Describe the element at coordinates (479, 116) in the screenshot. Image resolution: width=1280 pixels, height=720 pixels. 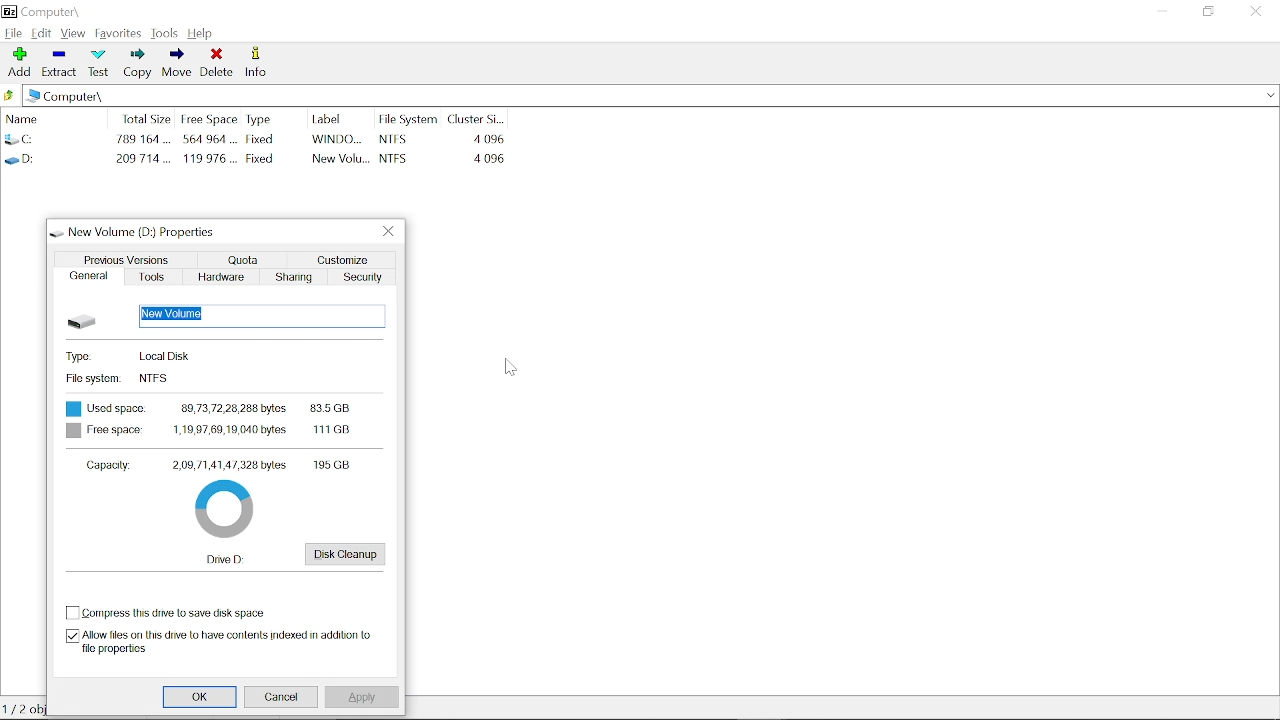
I see `cluster Si...` at that location.